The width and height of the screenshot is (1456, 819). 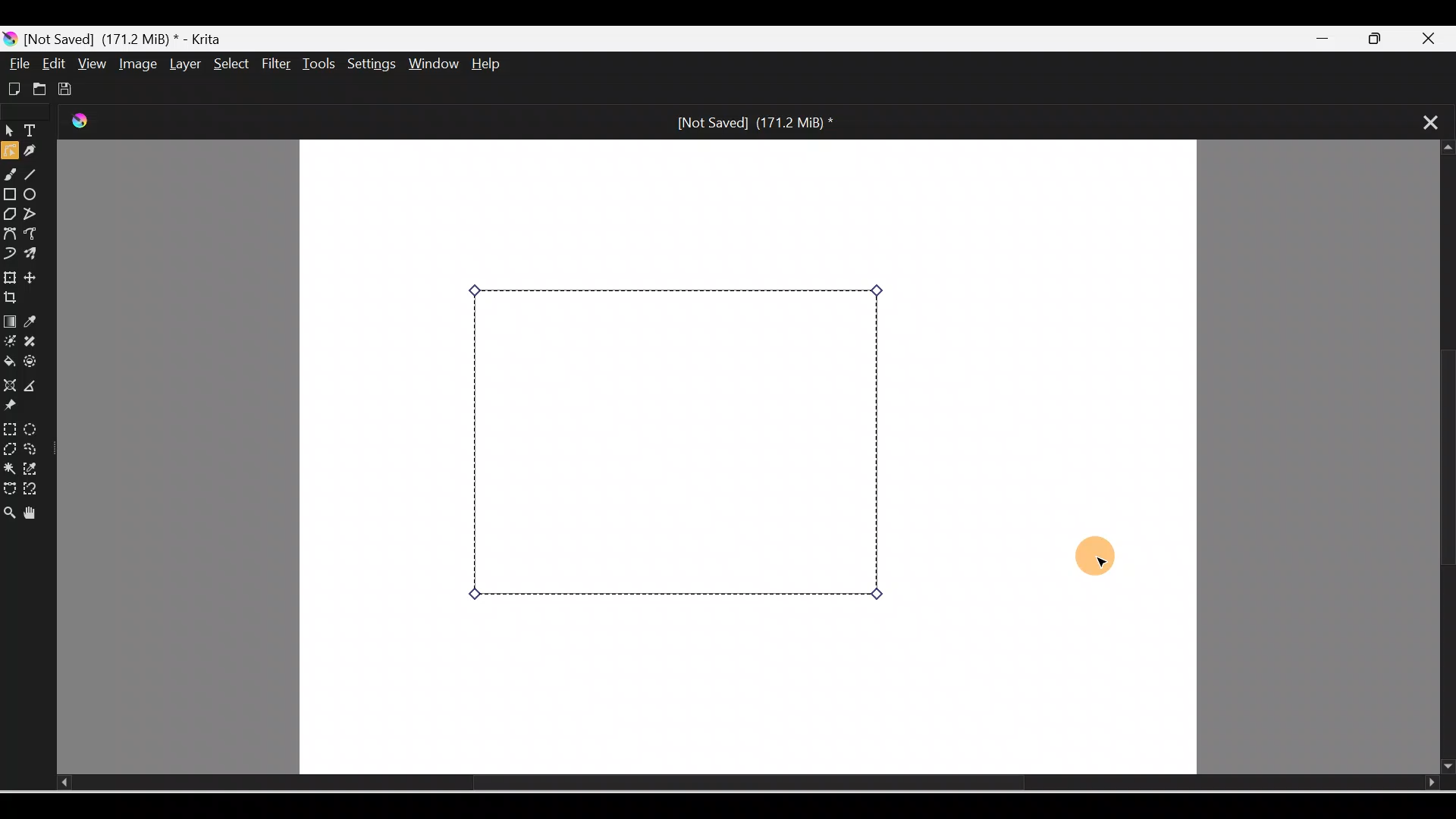 What do you see at coordinates (277, 64) in the screenshot?
I see `Filter` at bounding box center [277, 64].